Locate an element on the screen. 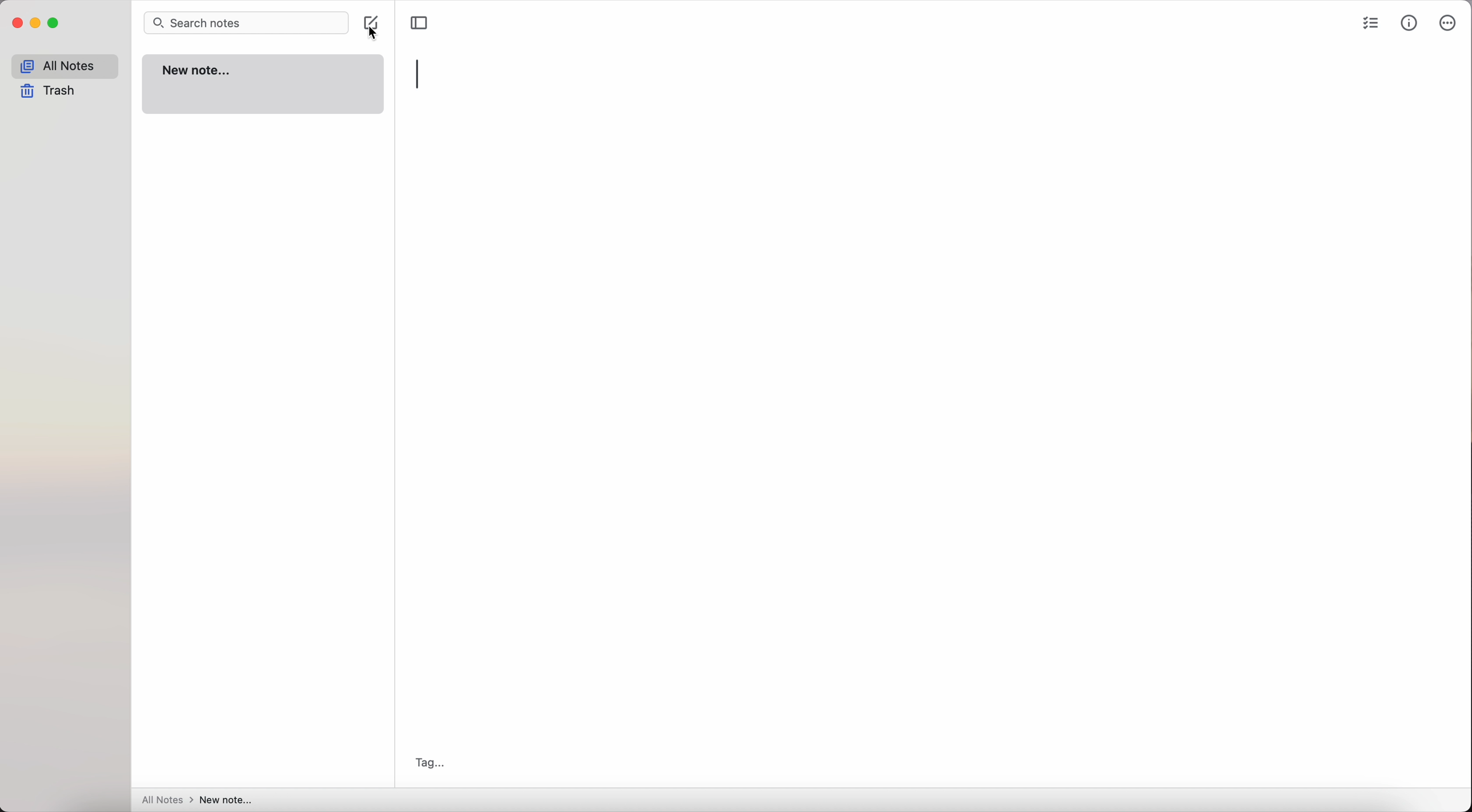 This screenshot has height=812, width=1472. minimize is located at coordinates (36, 24).